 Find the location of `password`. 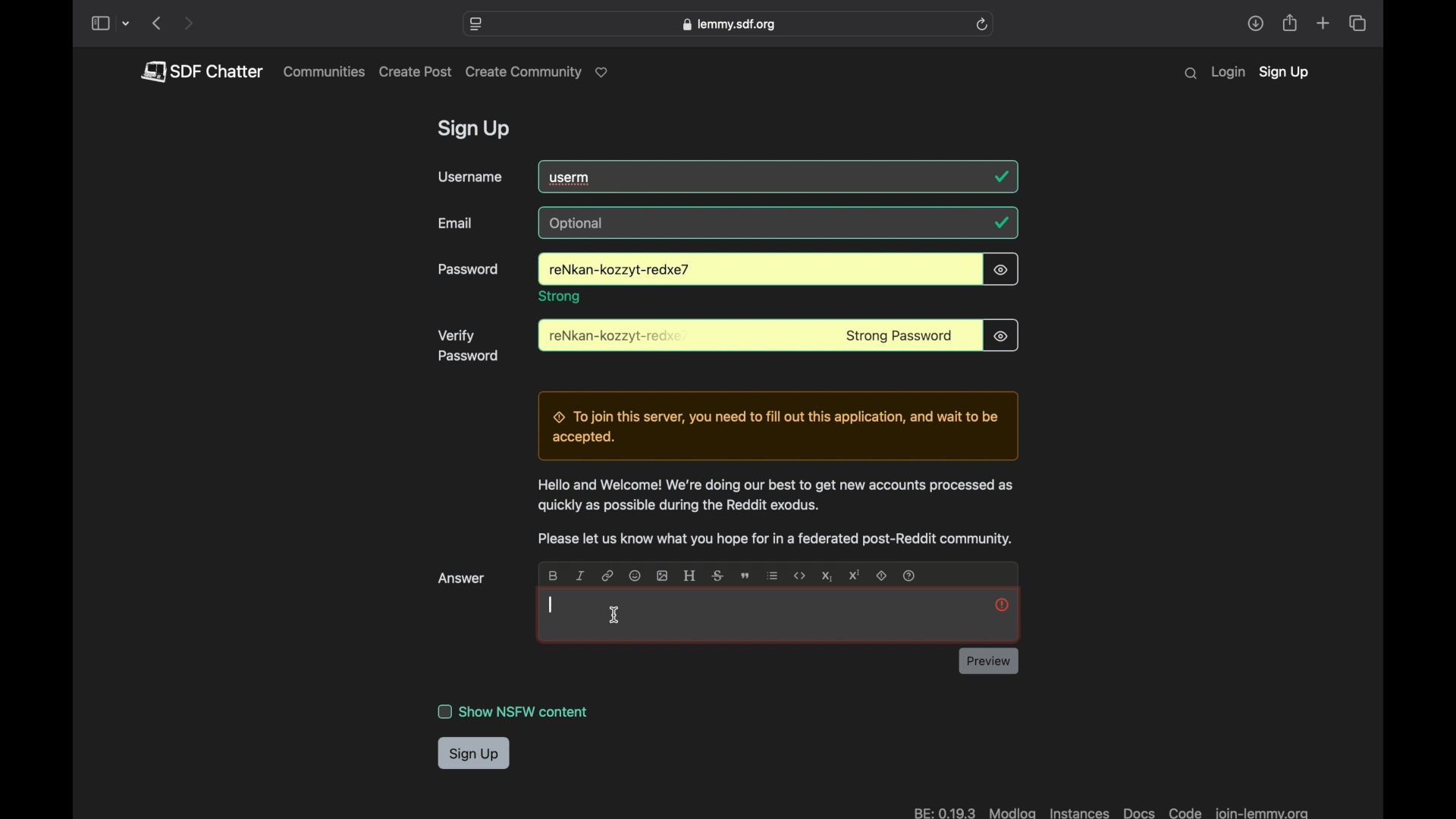

password is located at coordinates (617, 271).